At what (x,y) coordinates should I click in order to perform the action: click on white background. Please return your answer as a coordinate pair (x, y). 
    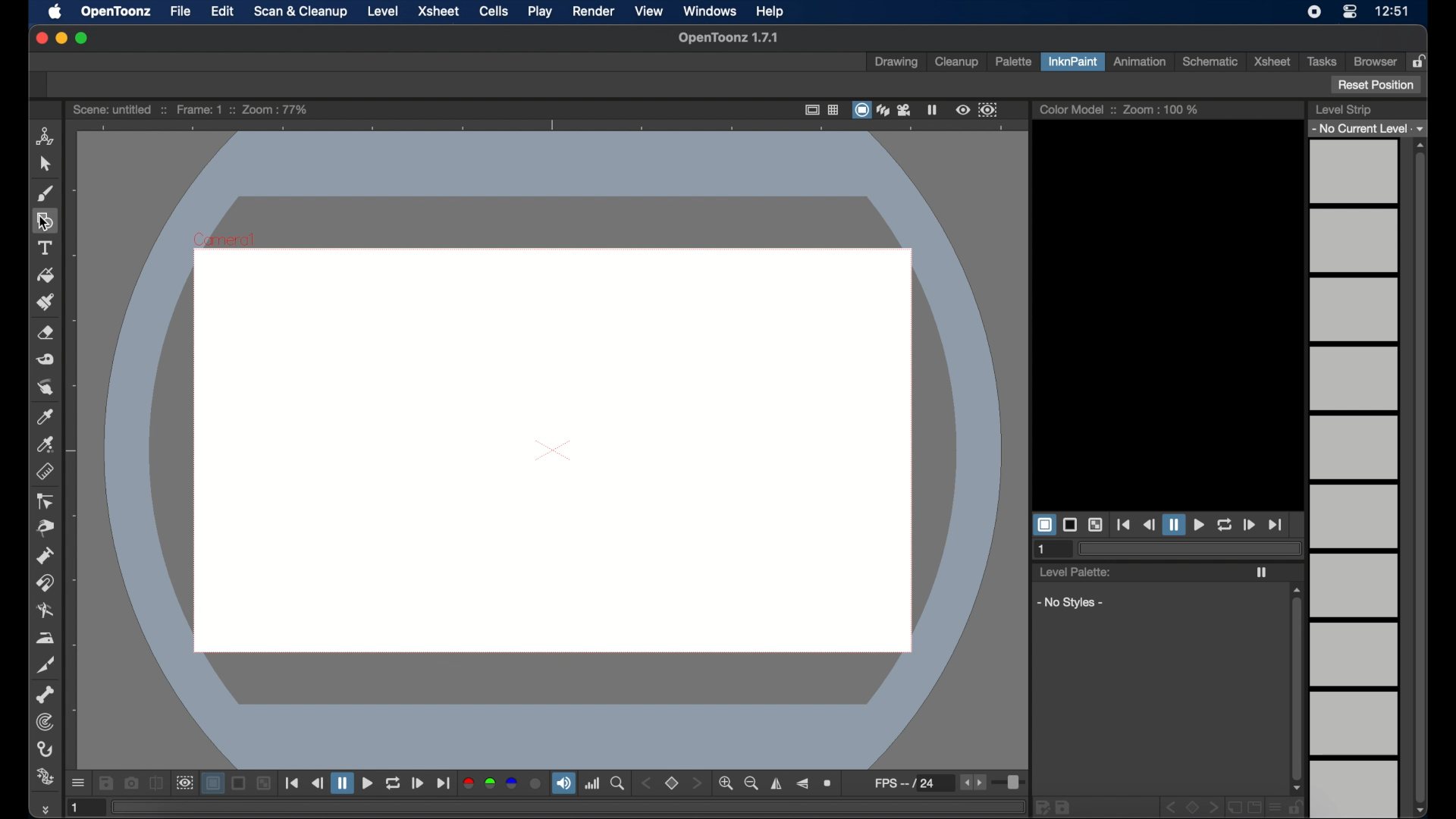
    Looking at the image, I should click on (212, 783).